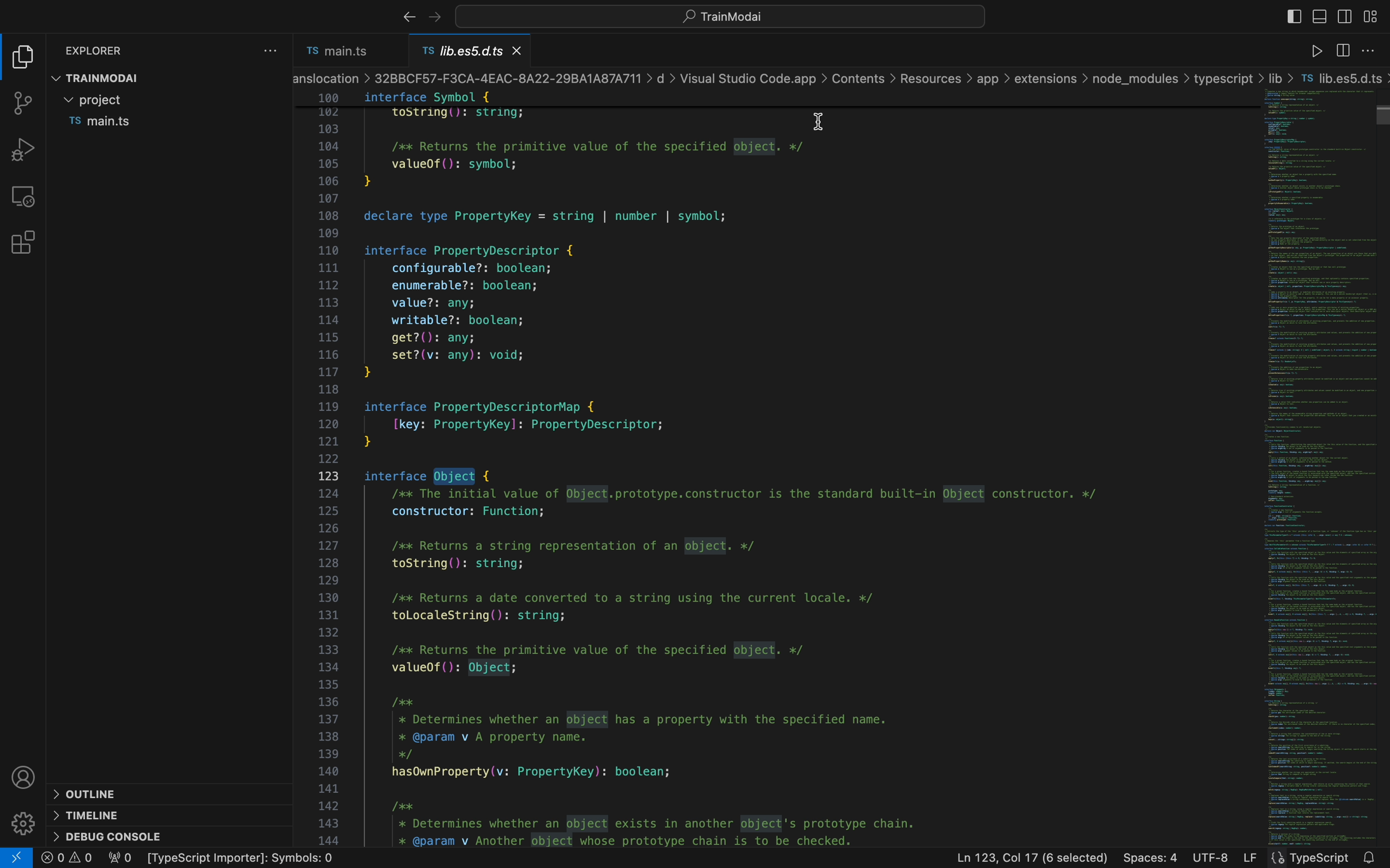  I want to click on layouts, so click(1373, 15).